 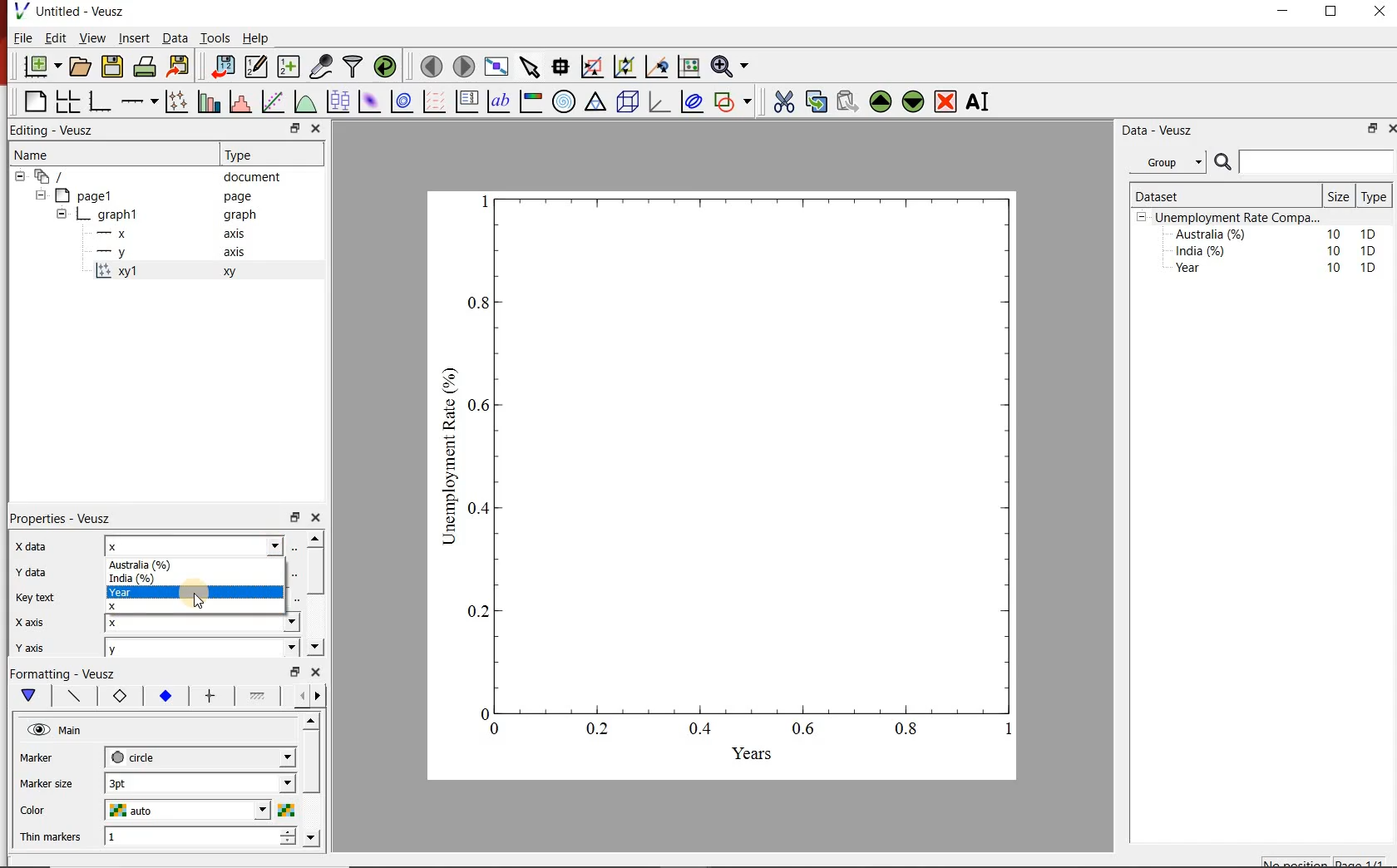 I want to click on y axis, so click(x=41, y=645).